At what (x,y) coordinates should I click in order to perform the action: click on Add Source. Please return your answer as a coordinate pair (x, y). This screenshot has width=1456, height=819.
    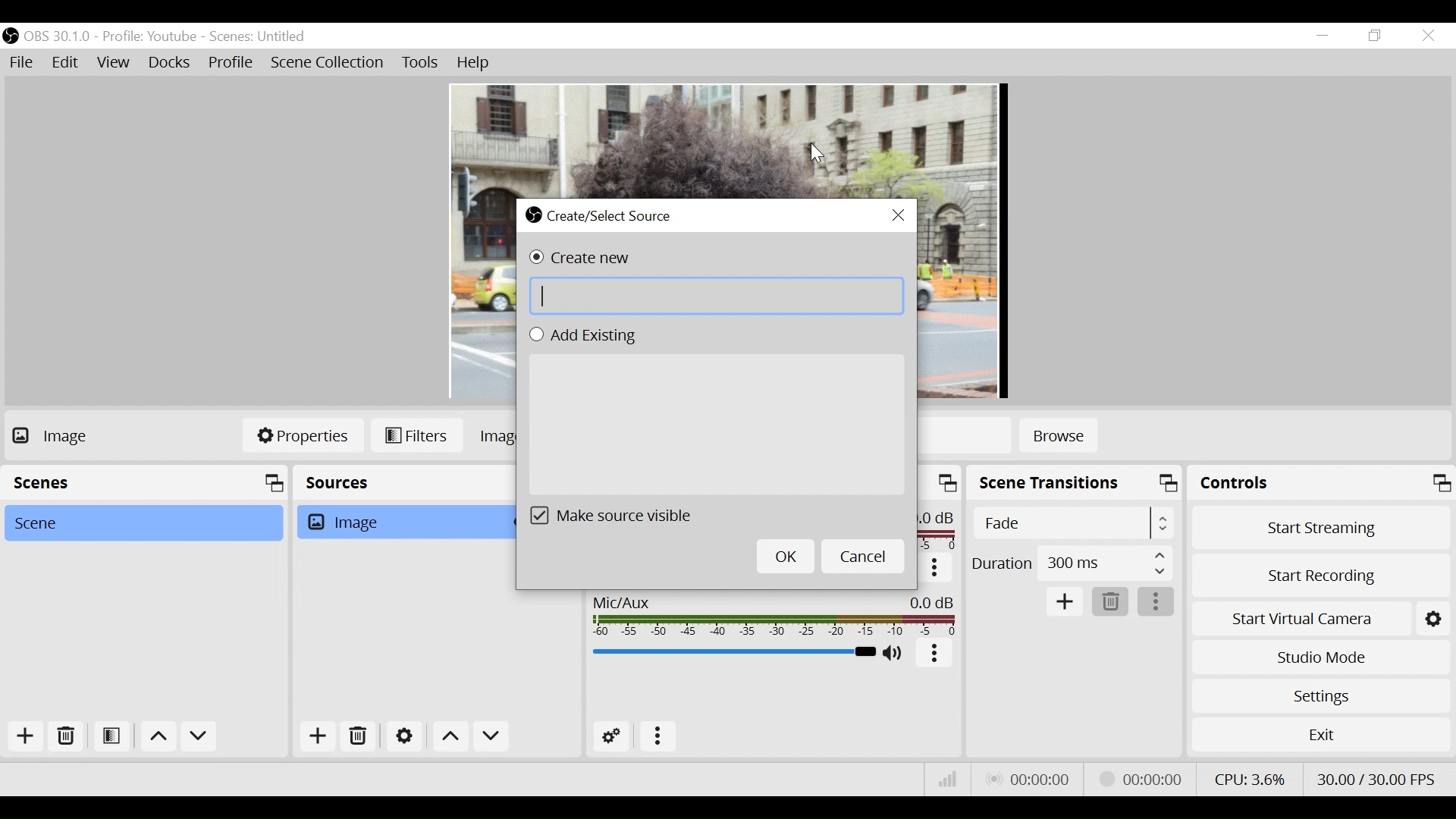
    Looking at the image, I should click on (317, 738).